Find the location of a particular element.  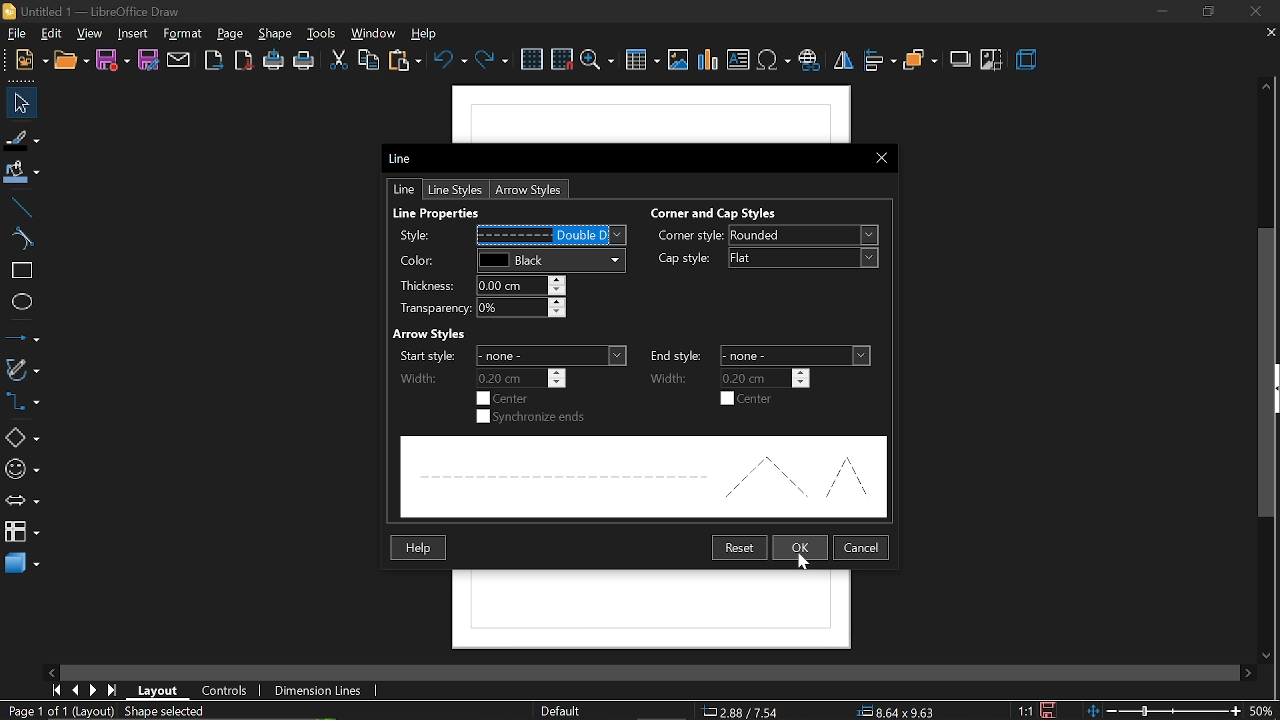

cut  is located at coordinates (339, 61).